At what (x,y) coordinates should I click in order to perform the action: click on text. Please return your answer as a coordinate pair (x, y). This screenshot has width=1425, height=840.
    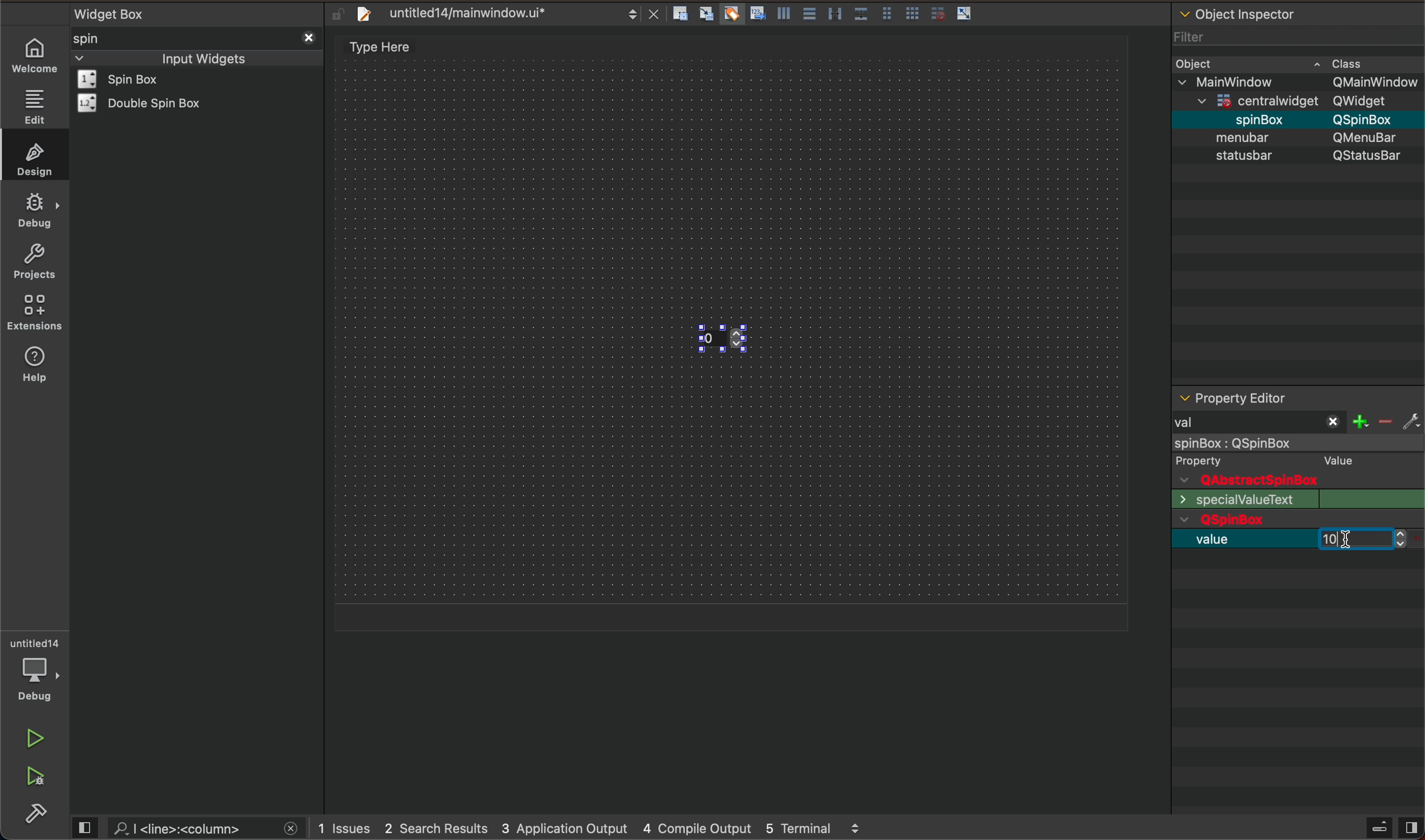
    Looking at the image, I should click on (1369, 157).